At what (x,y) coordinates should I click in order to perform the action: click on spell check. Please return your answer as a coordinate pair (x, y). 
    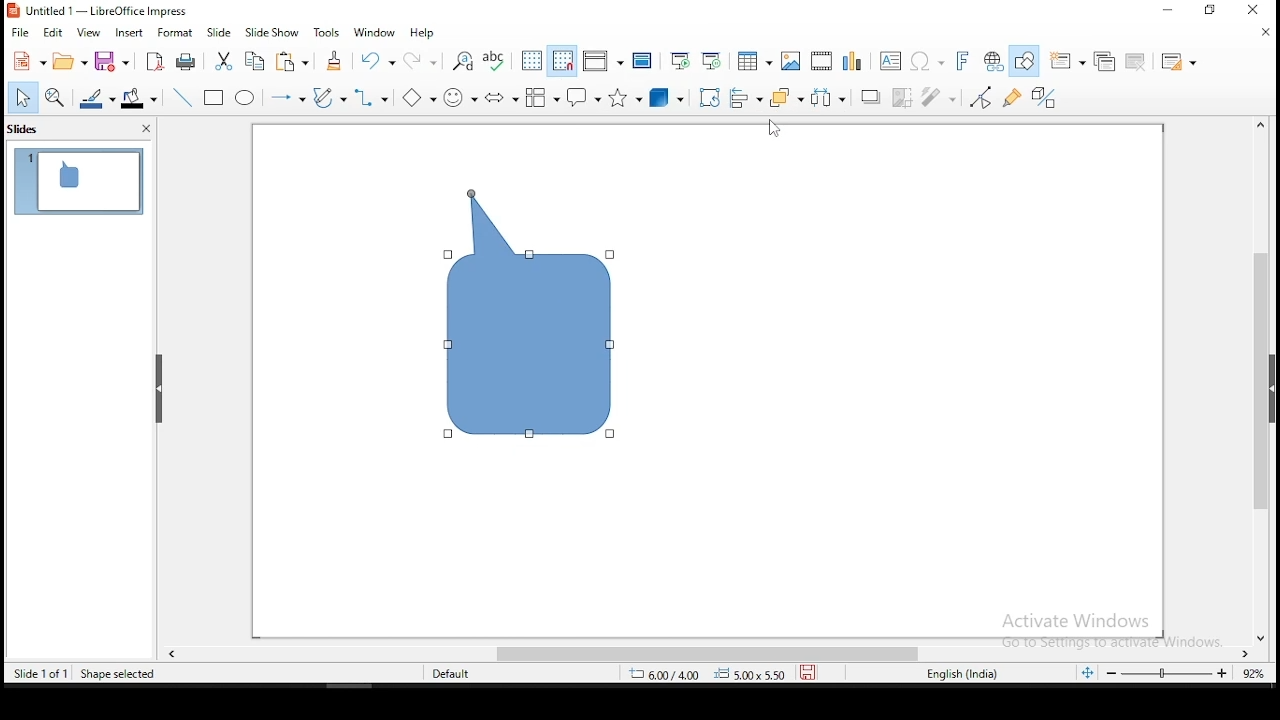
    Looking at the image, I should click on (495, 61).